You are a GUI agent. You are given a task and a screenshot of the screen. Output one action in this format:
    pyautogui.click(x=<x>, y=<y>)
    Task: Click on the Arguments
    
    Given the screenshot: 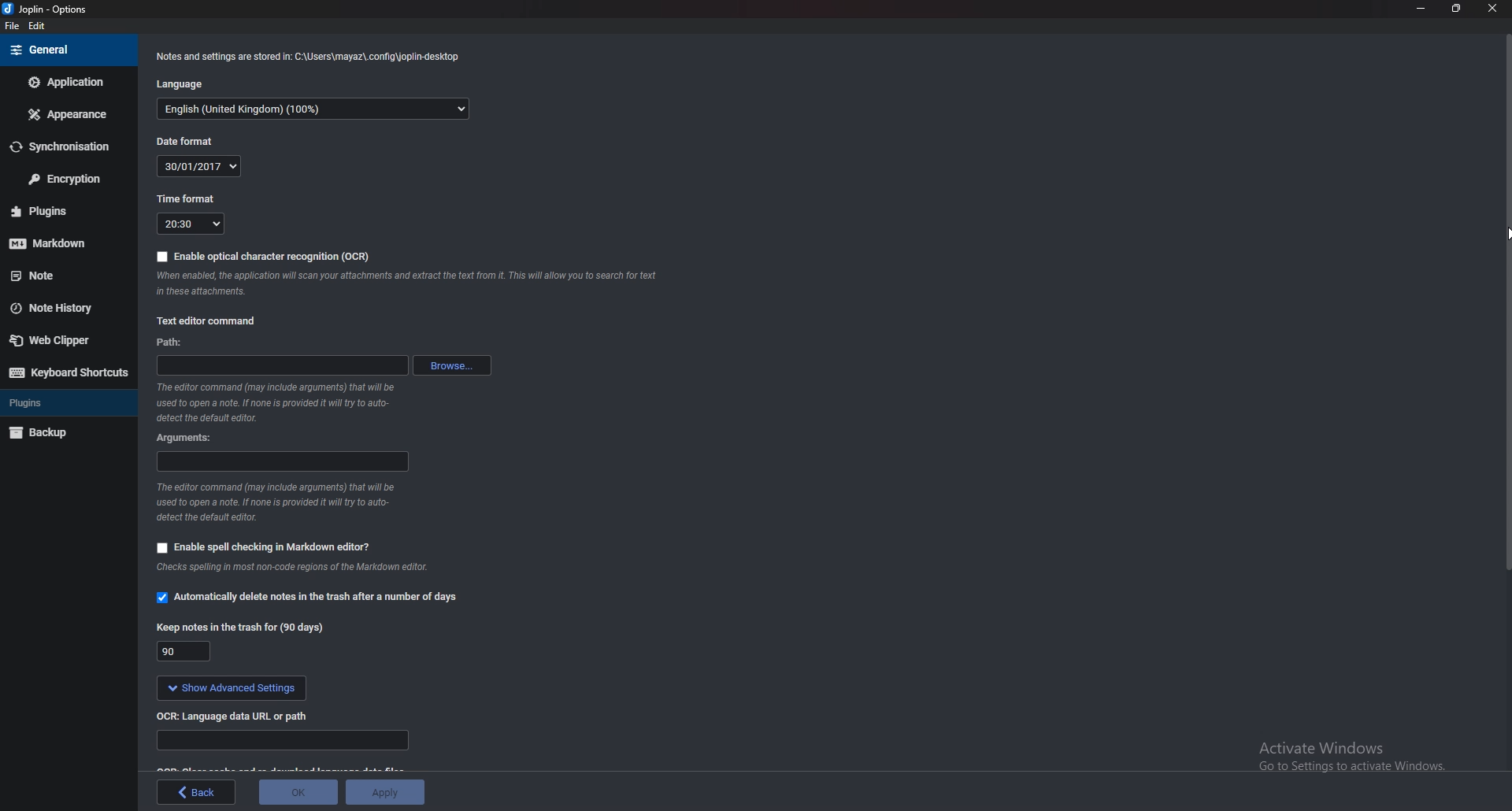 What is the action you would take?
    pyautogui.click(x=283, y=463)
    